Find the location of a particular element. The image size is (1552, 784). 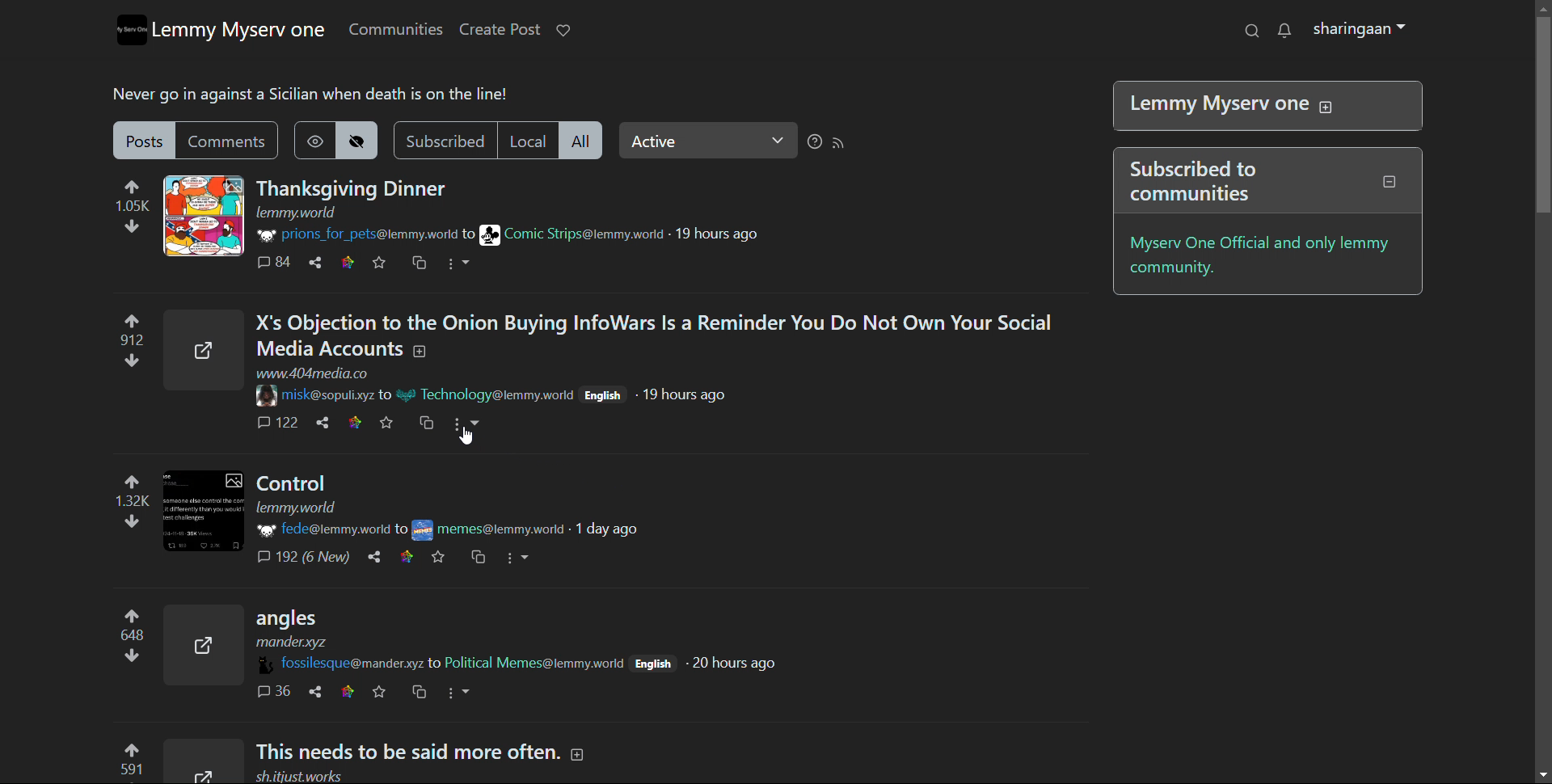

upvote and downvote is located at coordinates (133, 209).